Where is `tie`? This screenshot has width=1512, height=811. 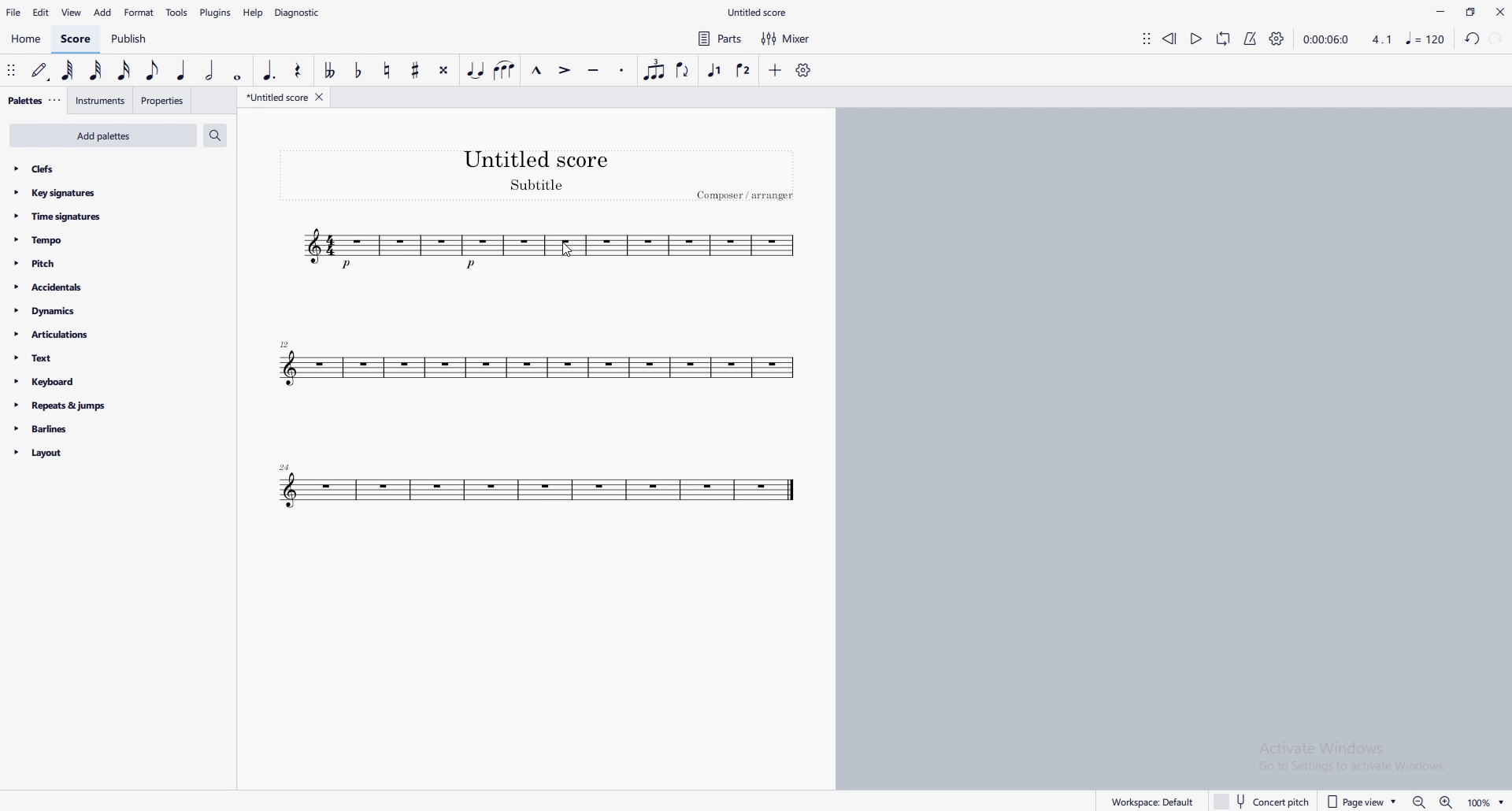 tie is located at coordinates (476, 72).